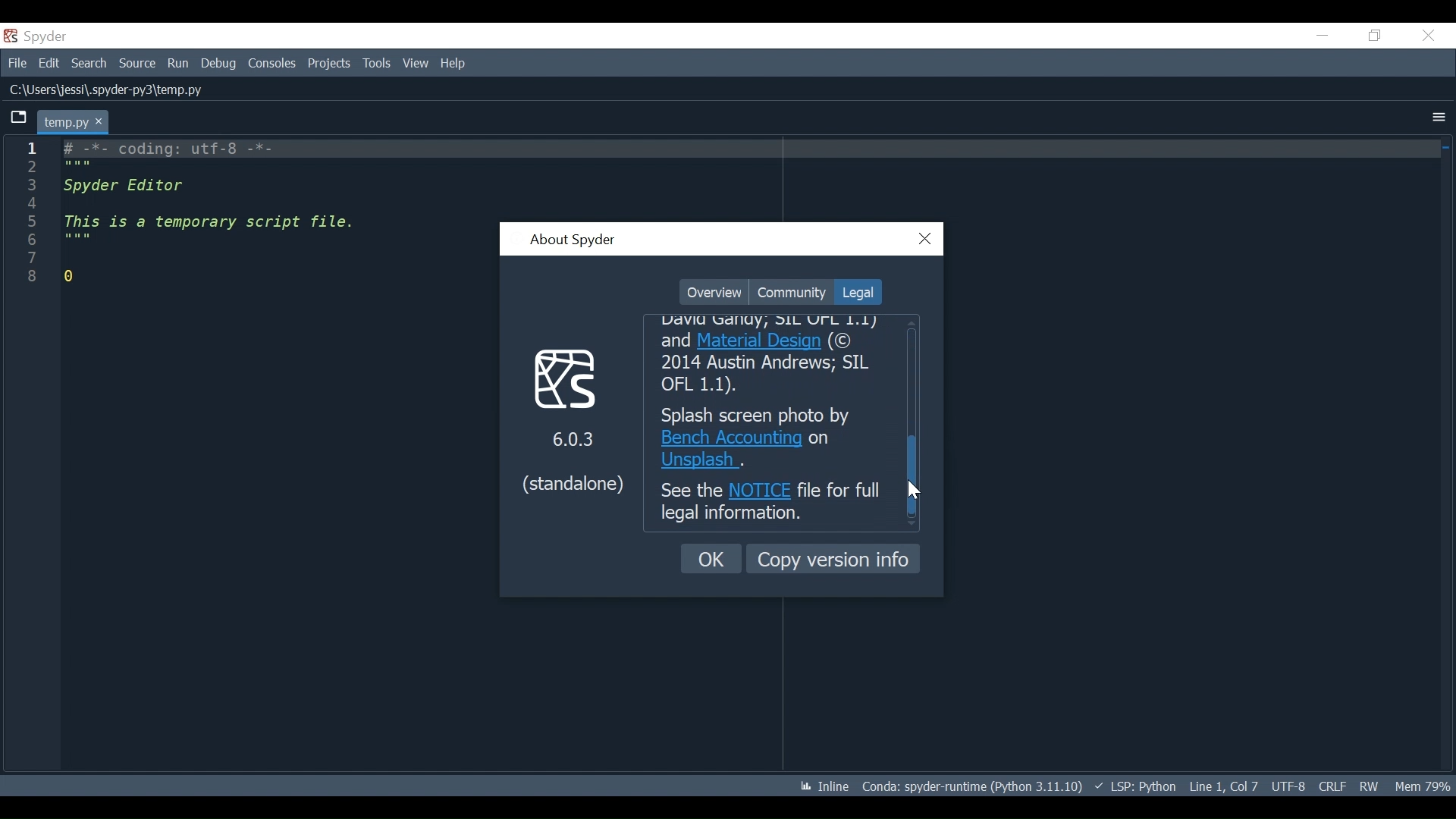 The width and height of the screenshot is (1456, 819). I want to click on More Options, so click(1439, 118).